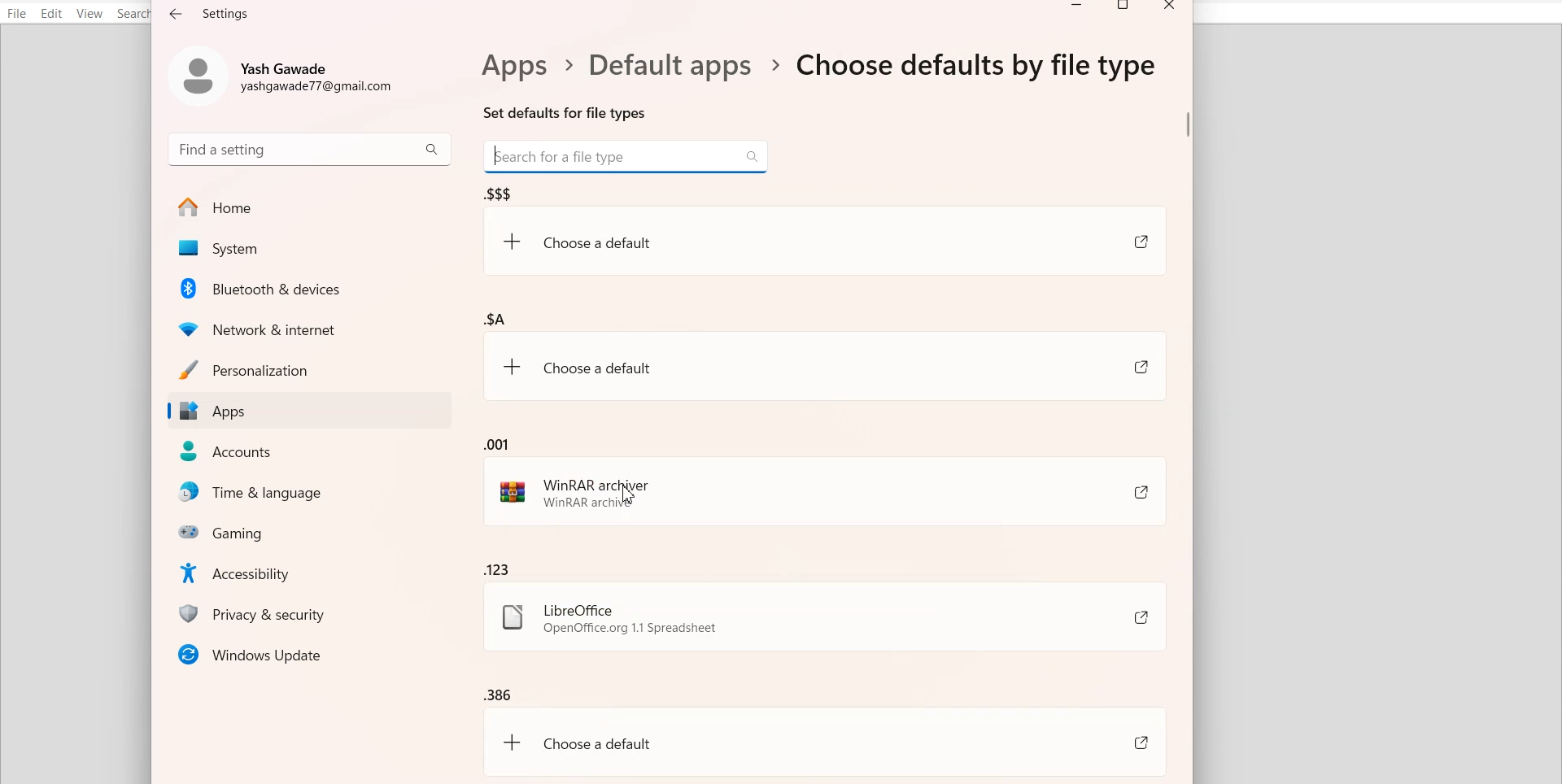 This screenshot has height=784, width=1562. I want to click on Cursor, so click(629, 494).